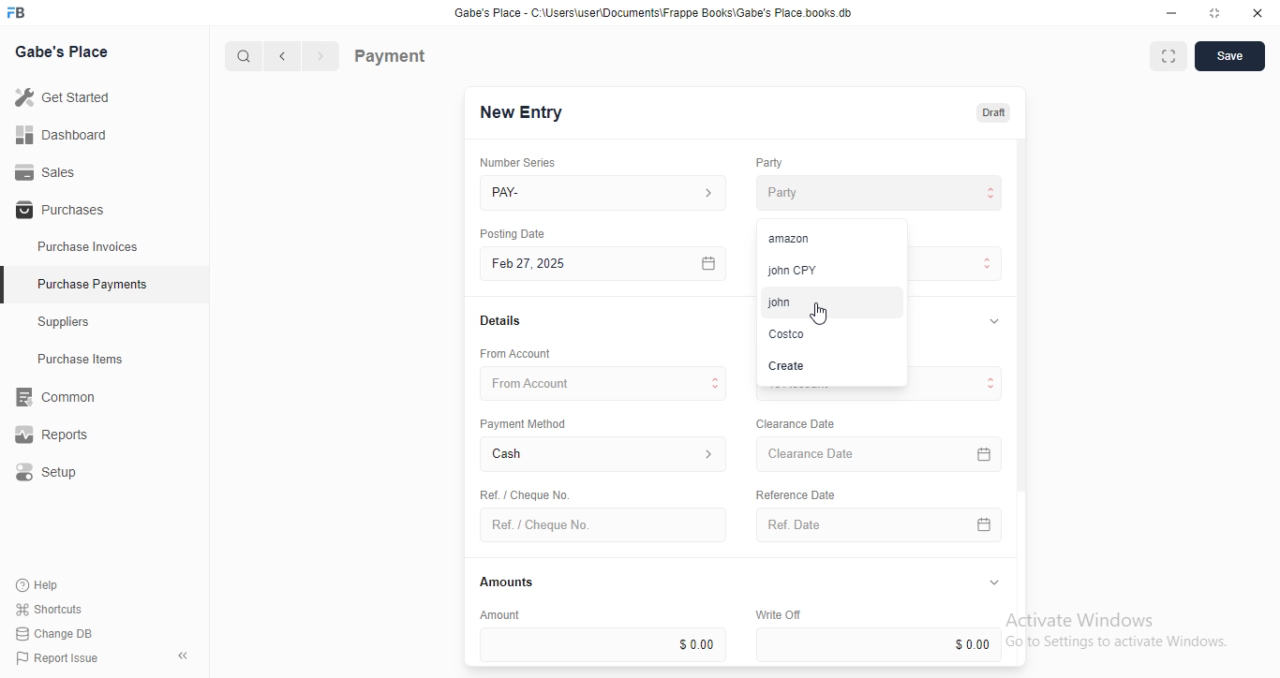 The image size is (1280, 678). I want to click on navigate backward, so click(286, 58).